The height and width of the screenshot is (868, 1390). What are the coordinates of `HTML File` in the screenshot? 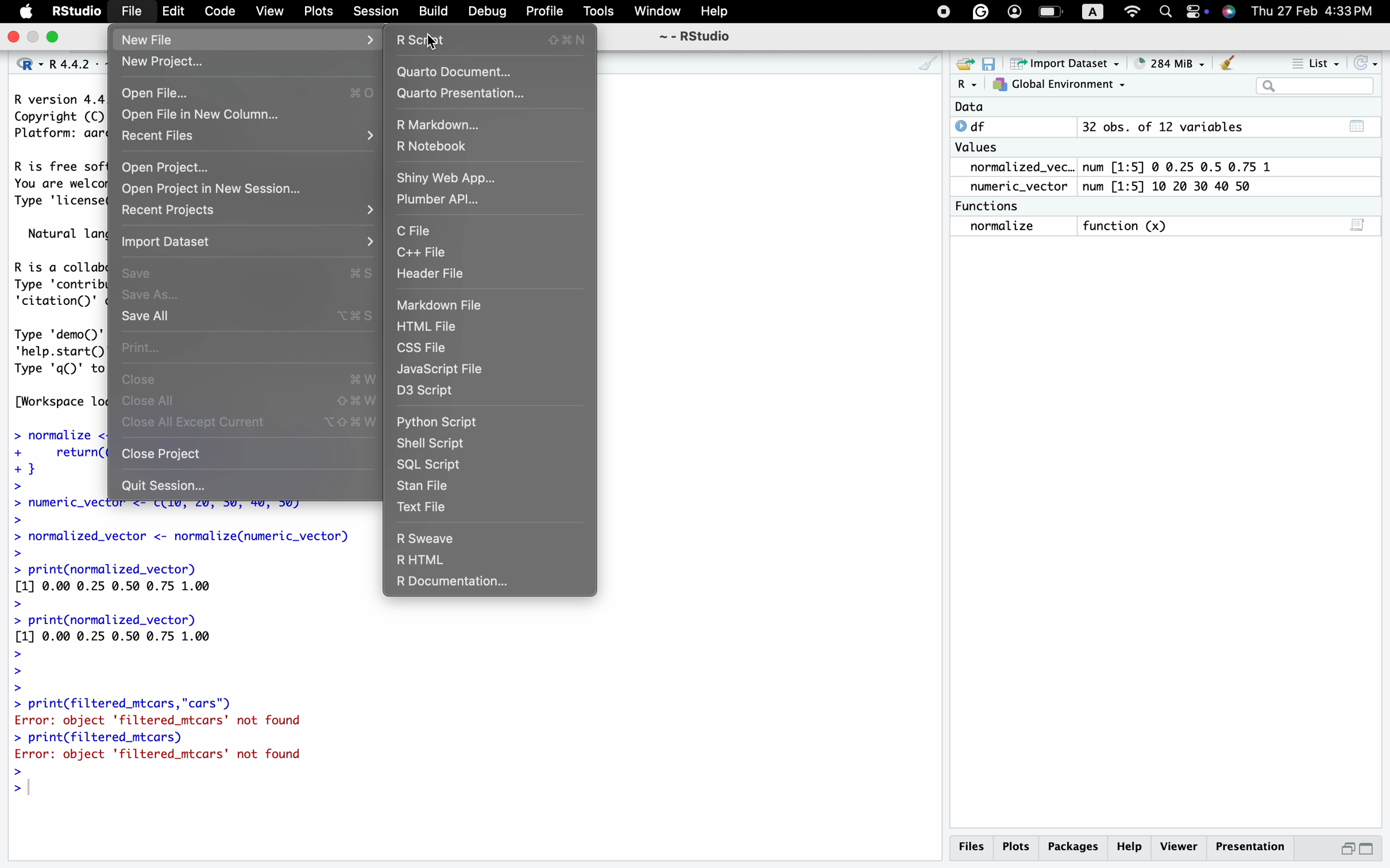 It's located at (432, 325).